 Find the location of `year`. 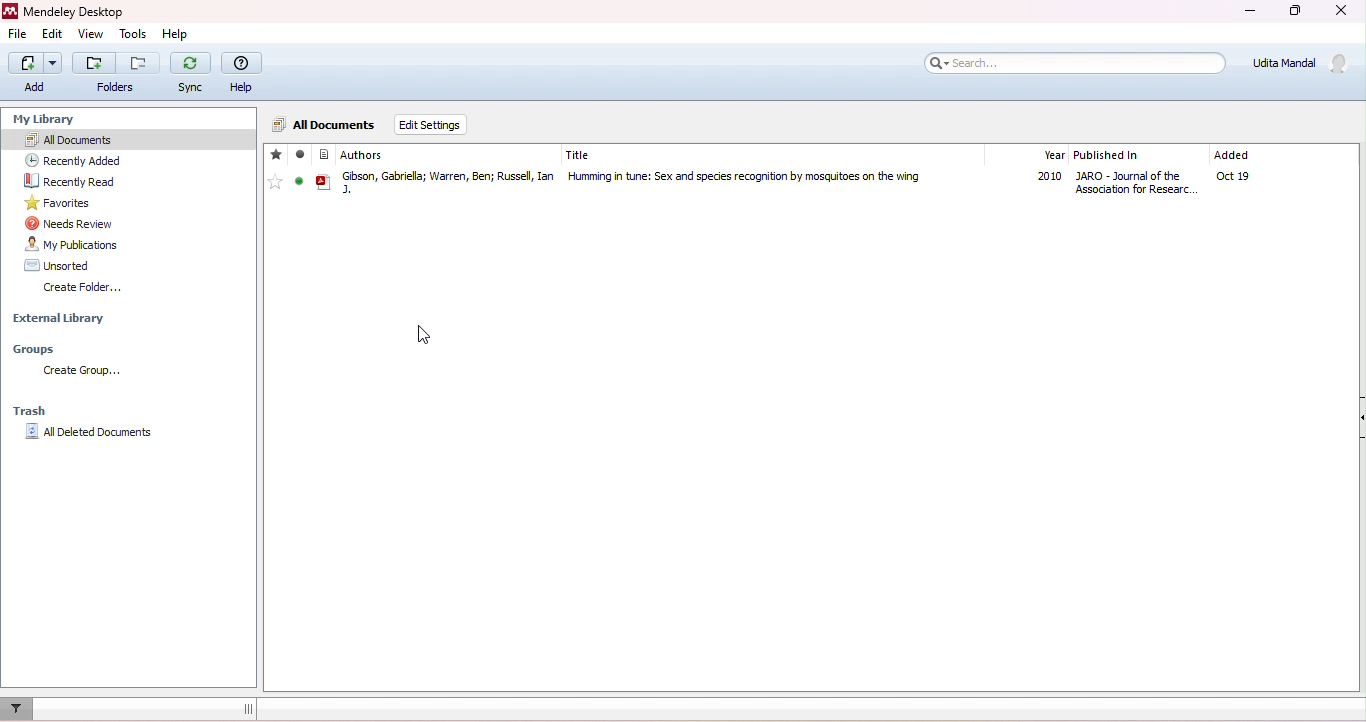

year is located at coordinates (1048, 156).